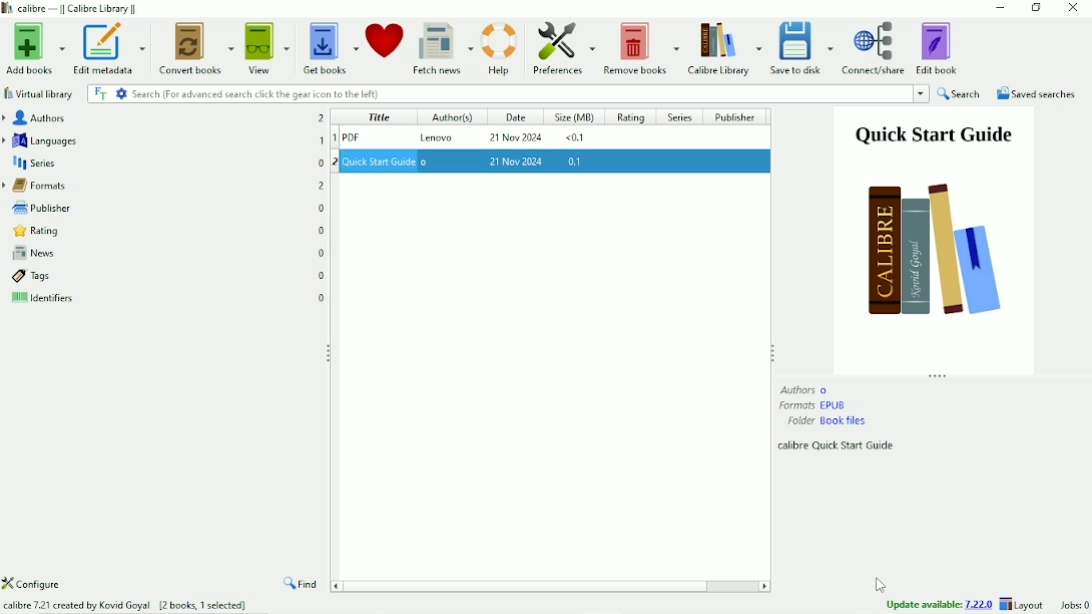  Describe the element at coordinates (100, 93) in the screenshot. I see `Search the full text of all books in library` at that location.